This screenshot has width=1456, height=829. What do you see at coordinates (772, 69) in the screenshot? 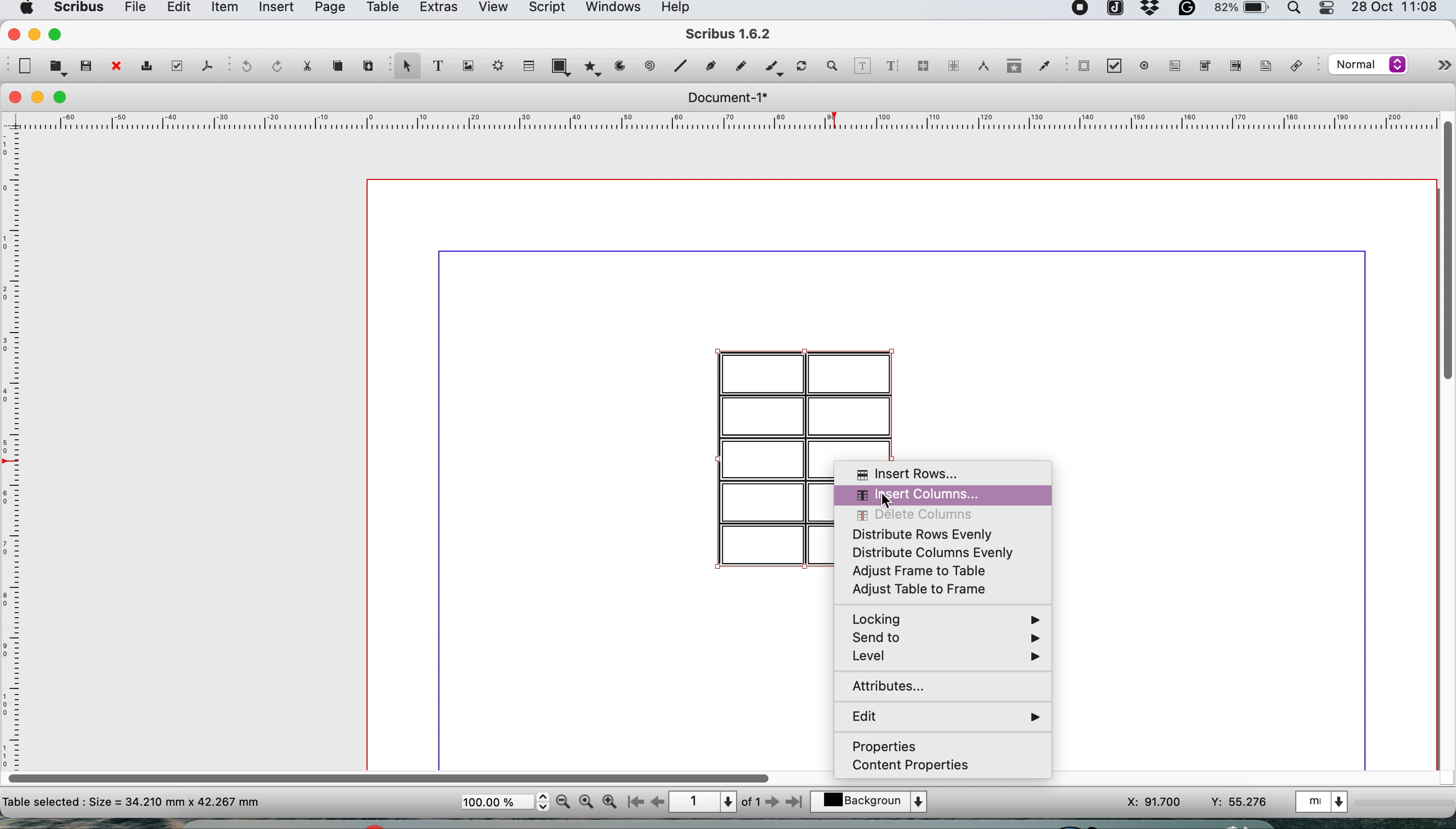
I see `calligraphic line` at bounding box center [772, 69].